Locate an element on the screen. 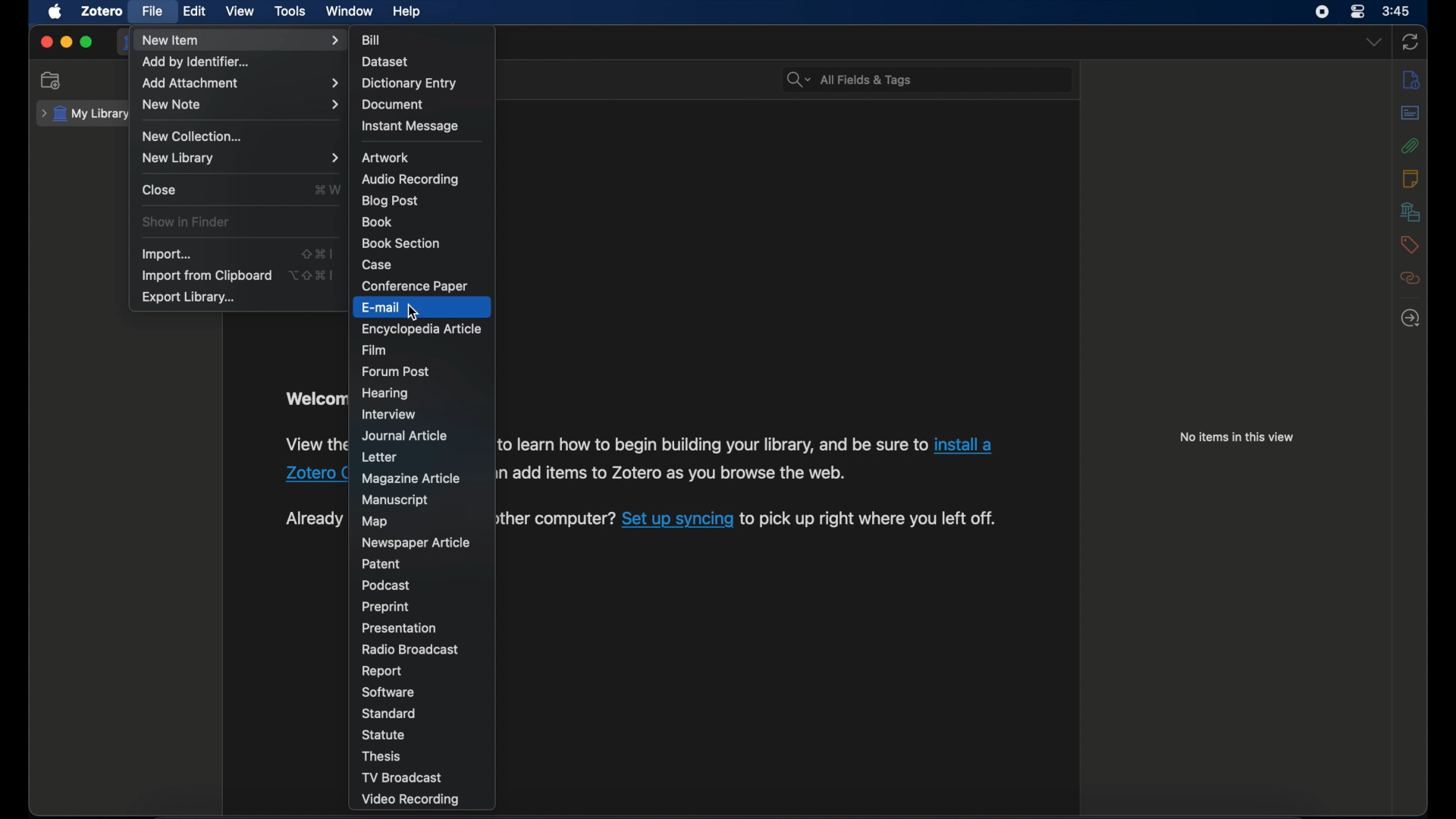 This screenshot has height=819, width=1456. info is located at coordinates (1412, 79).